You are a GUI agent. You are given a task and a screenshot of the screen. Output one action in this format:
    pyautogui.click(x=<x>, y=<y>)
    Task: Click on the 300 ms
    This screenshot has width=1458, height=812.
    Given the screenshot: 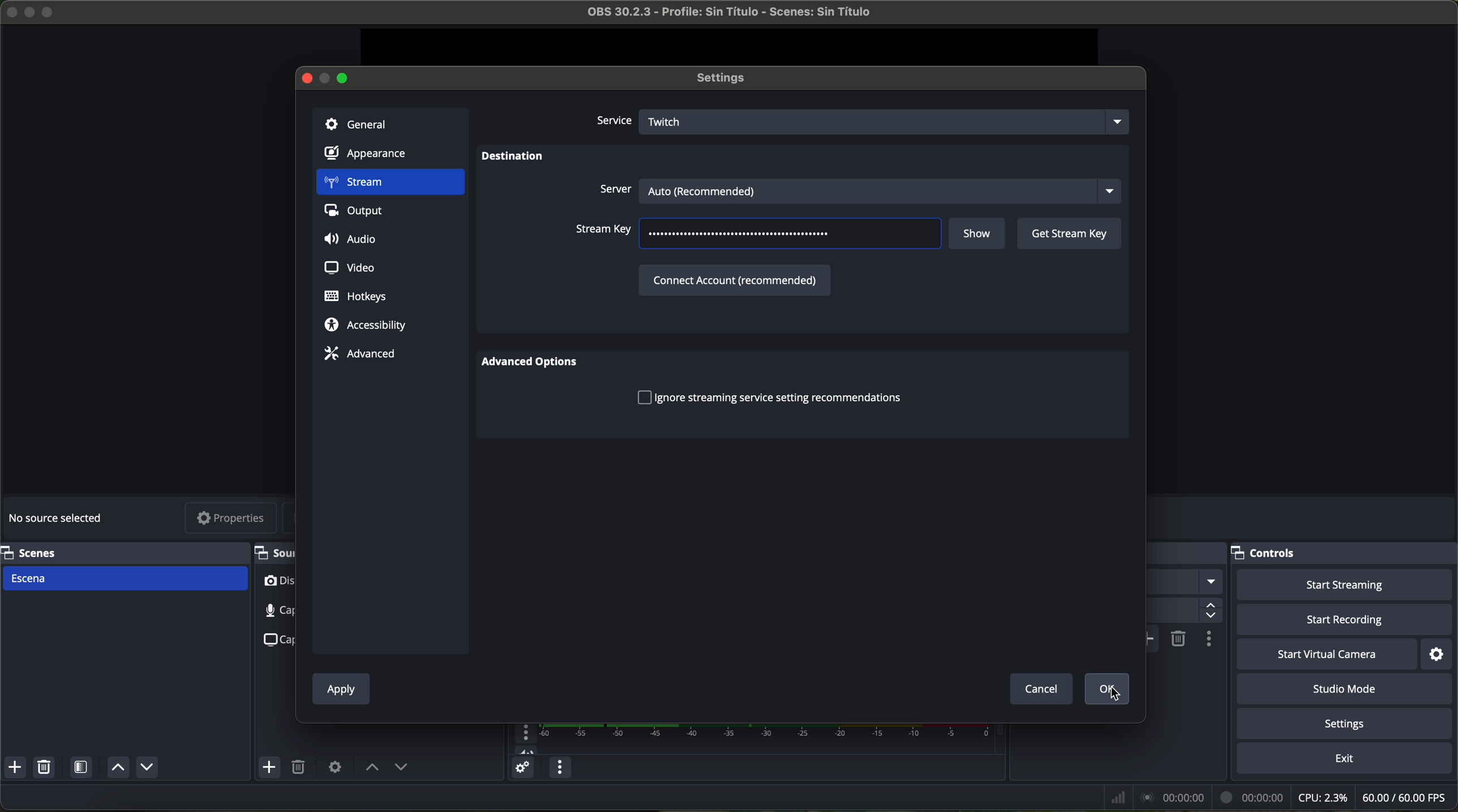 What is the action you would take?
    pyautogui.click(x=1183, y=611)
    